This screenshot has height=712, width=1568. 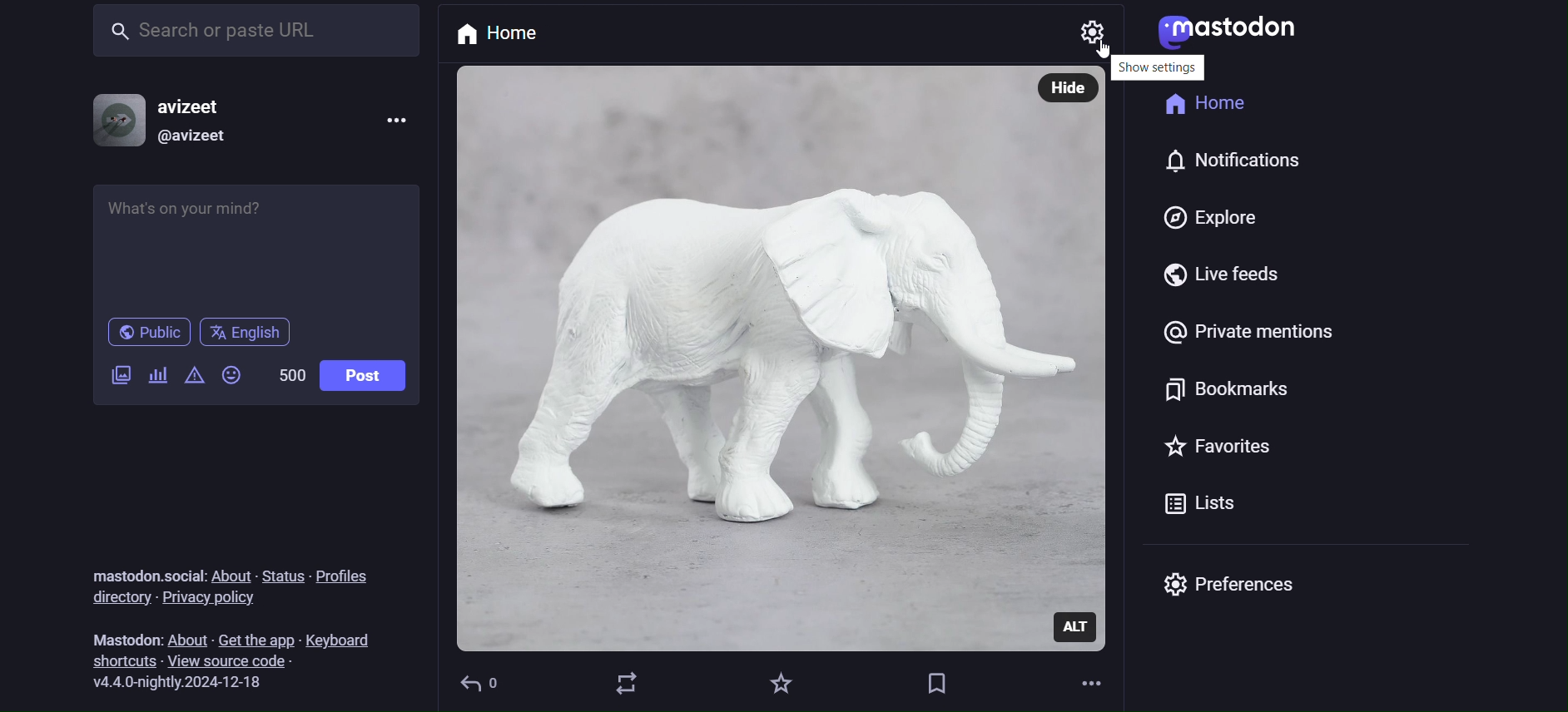 I want to click on ALT, so click(x=1076, y=626).